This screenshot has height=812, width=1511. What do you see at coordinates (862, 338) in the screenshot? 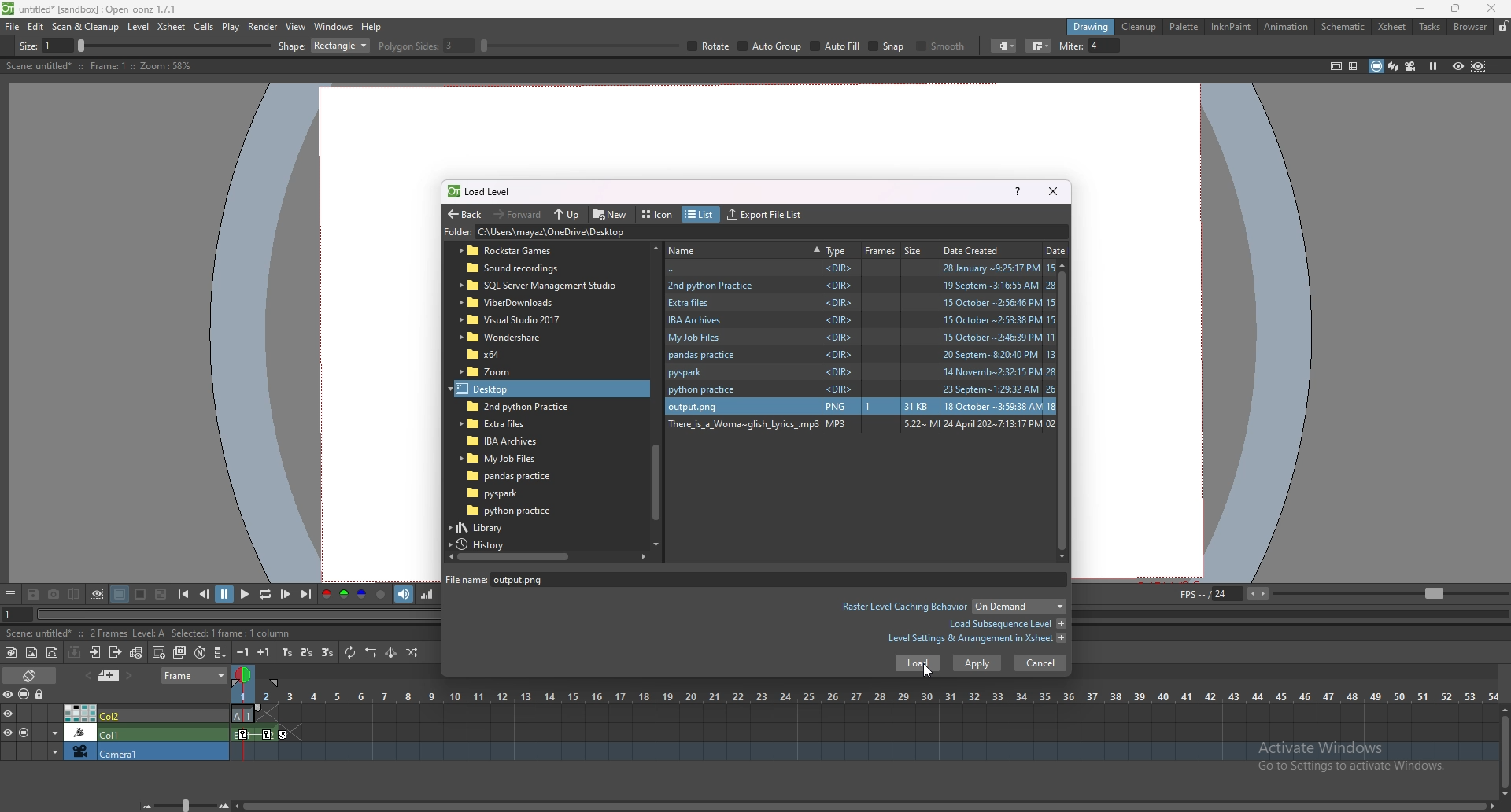
I see `folder` at bounding box center [862, 338].